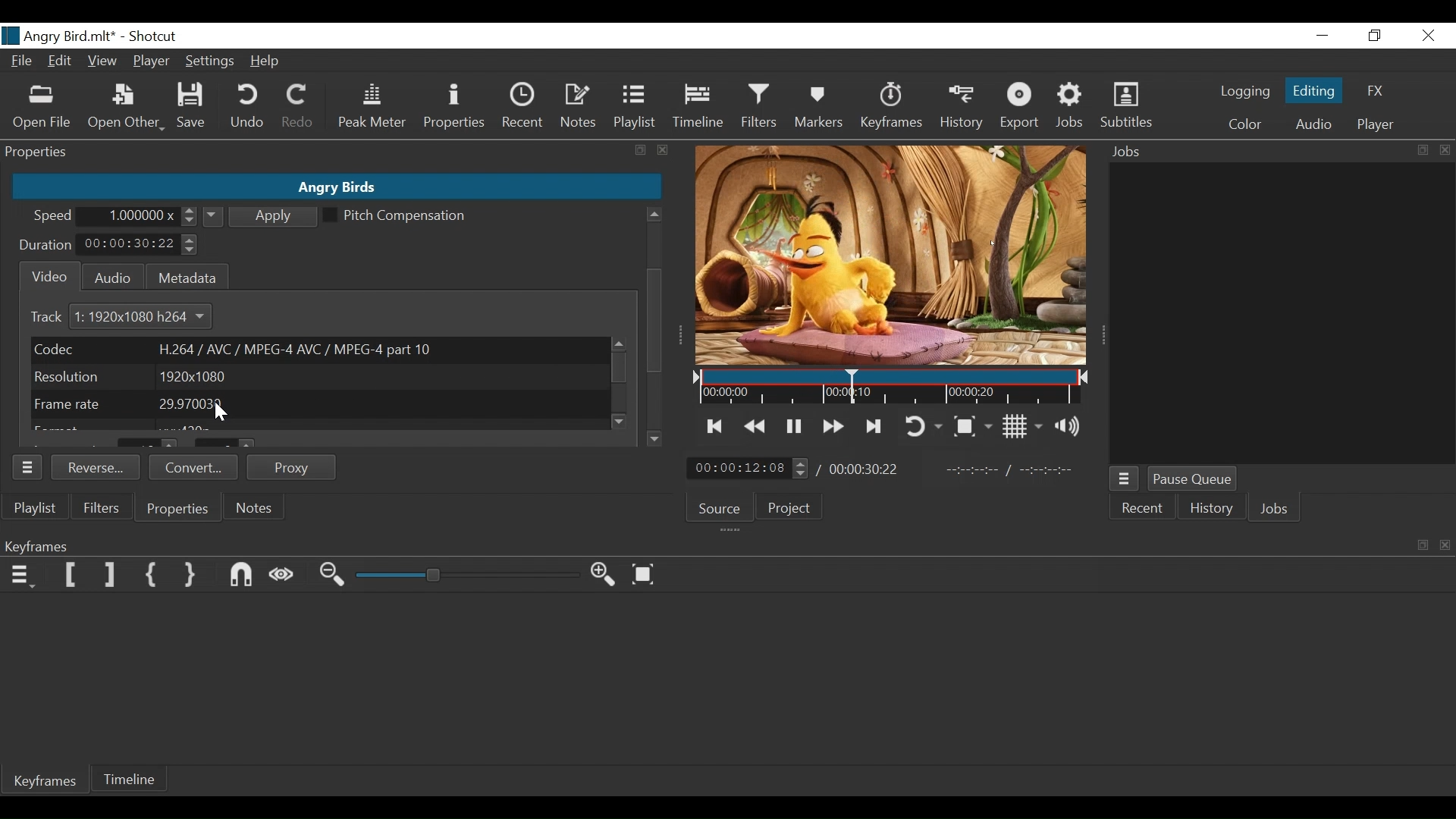 The width and height of the screenshot is (1456, 819). What do you see at coordinates (293, 467) in the screenshot?
I see `Proxy` at bounding box center [293, 467].